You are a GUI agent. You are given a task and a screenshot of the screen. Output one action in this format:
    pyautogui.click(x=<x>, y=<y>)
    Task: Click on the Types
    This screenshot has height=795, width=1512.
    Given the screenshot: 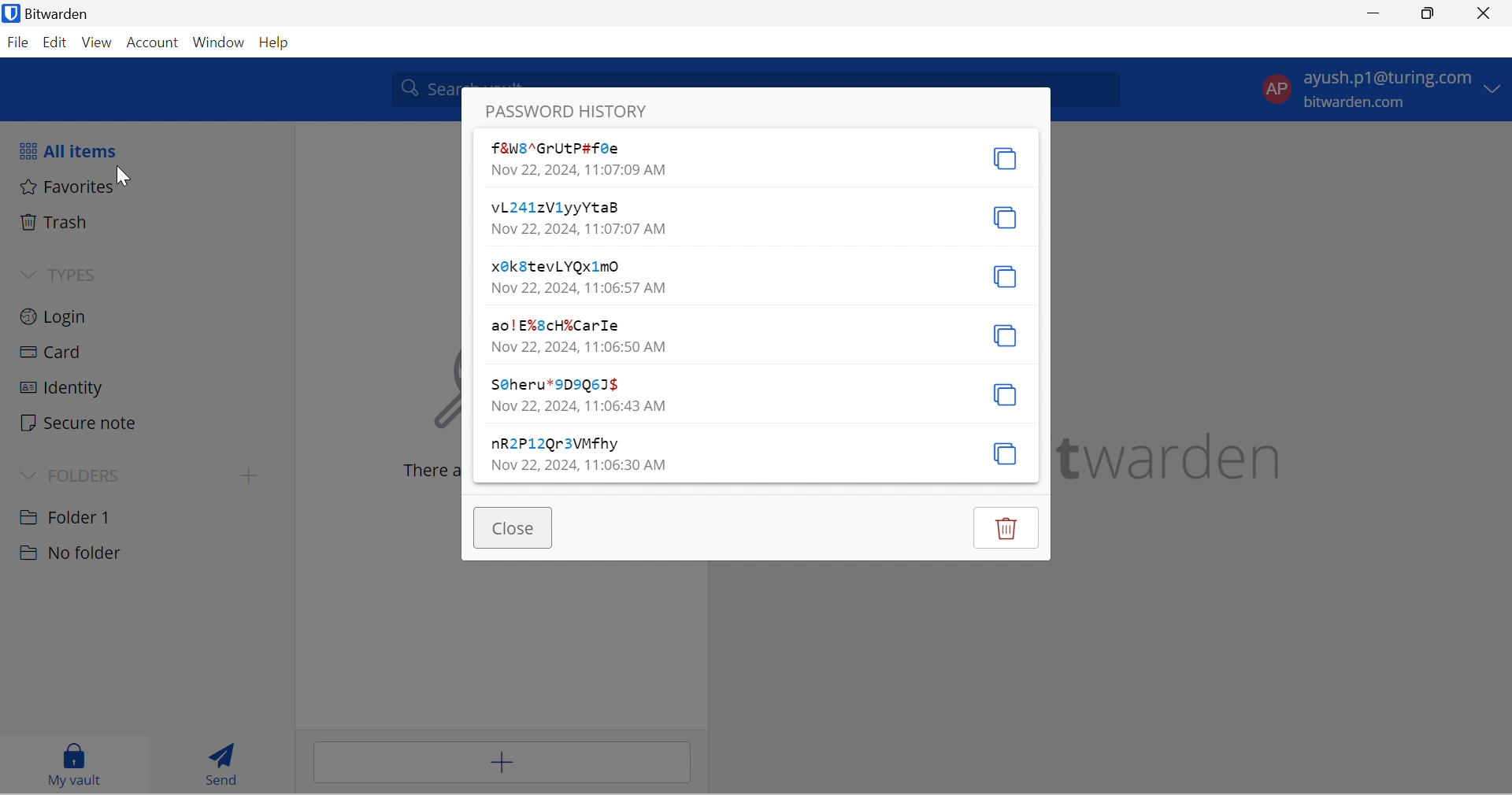 What is the action you would take?
    pyautogui.click(x=62, y=276)
    